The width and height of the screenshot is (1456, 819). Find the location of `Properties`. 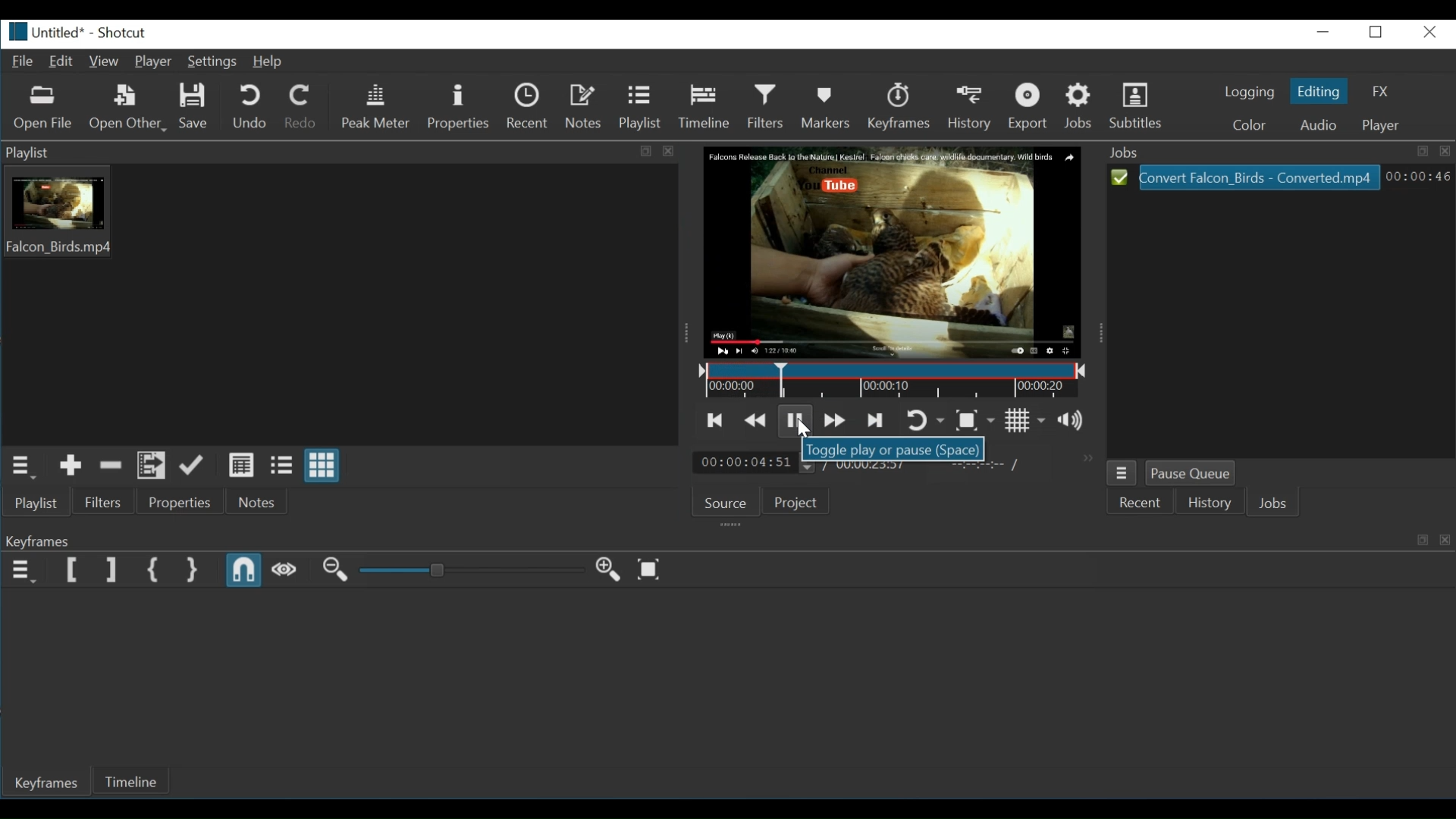

Properties is located at coordinates (184, 500).